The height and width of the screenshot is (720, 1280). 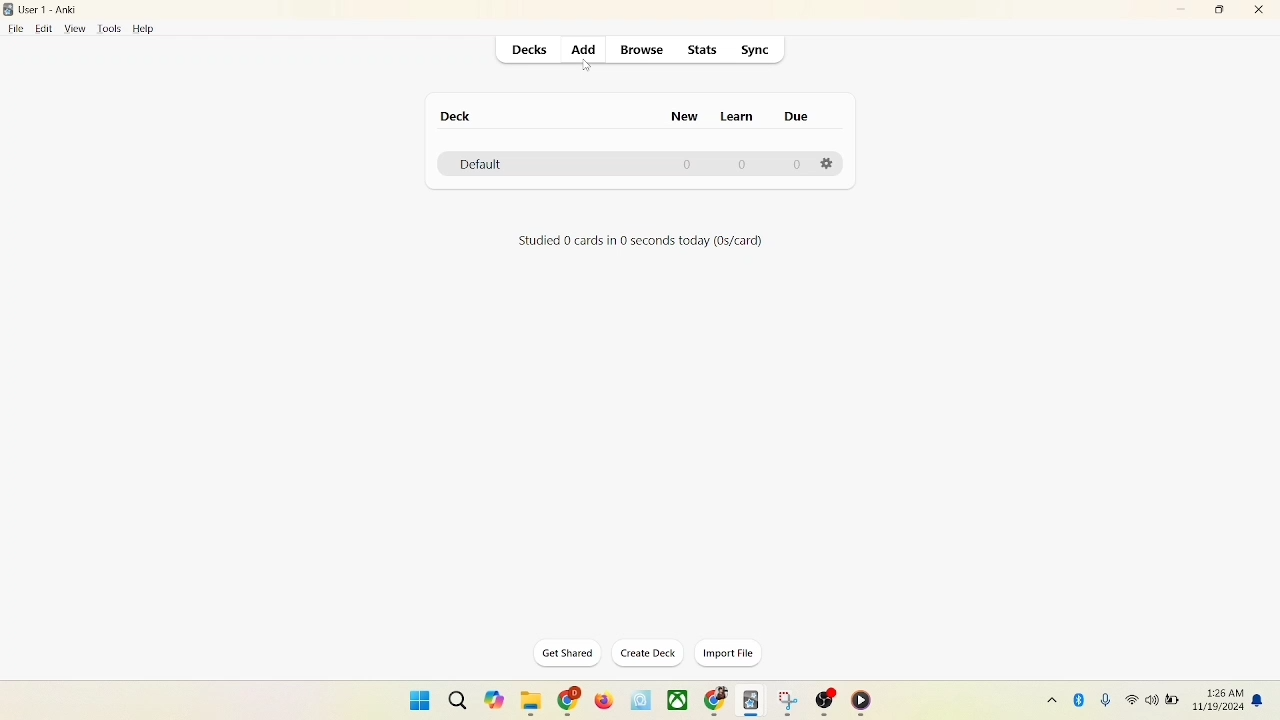 What do you see at coordinates (41, 28) in the screenshot?
I see `edit` at bounding box center [41, 28].